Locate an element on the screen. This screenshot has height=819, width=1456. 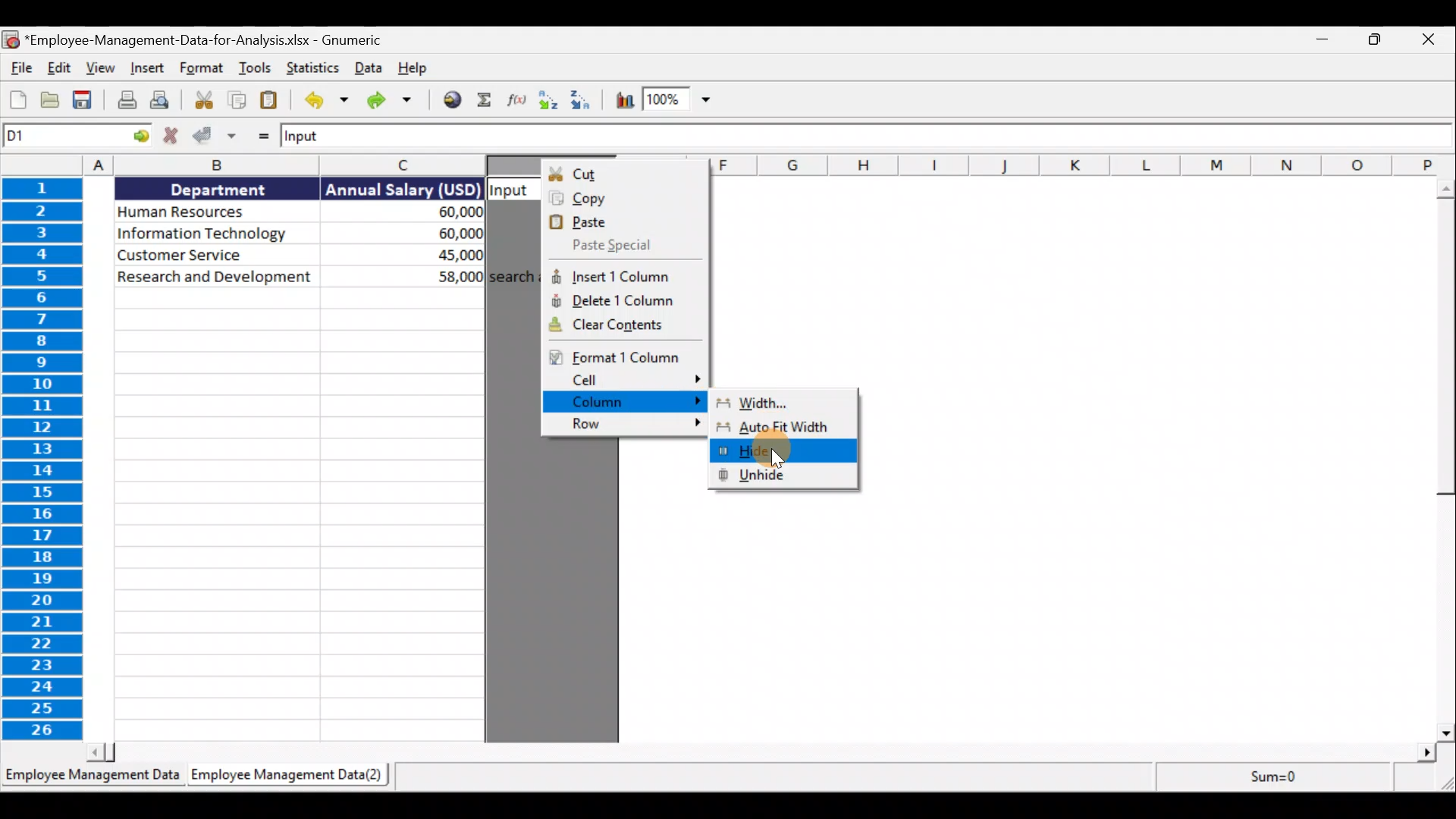
Maximise is located at coordinates (1373, 38).